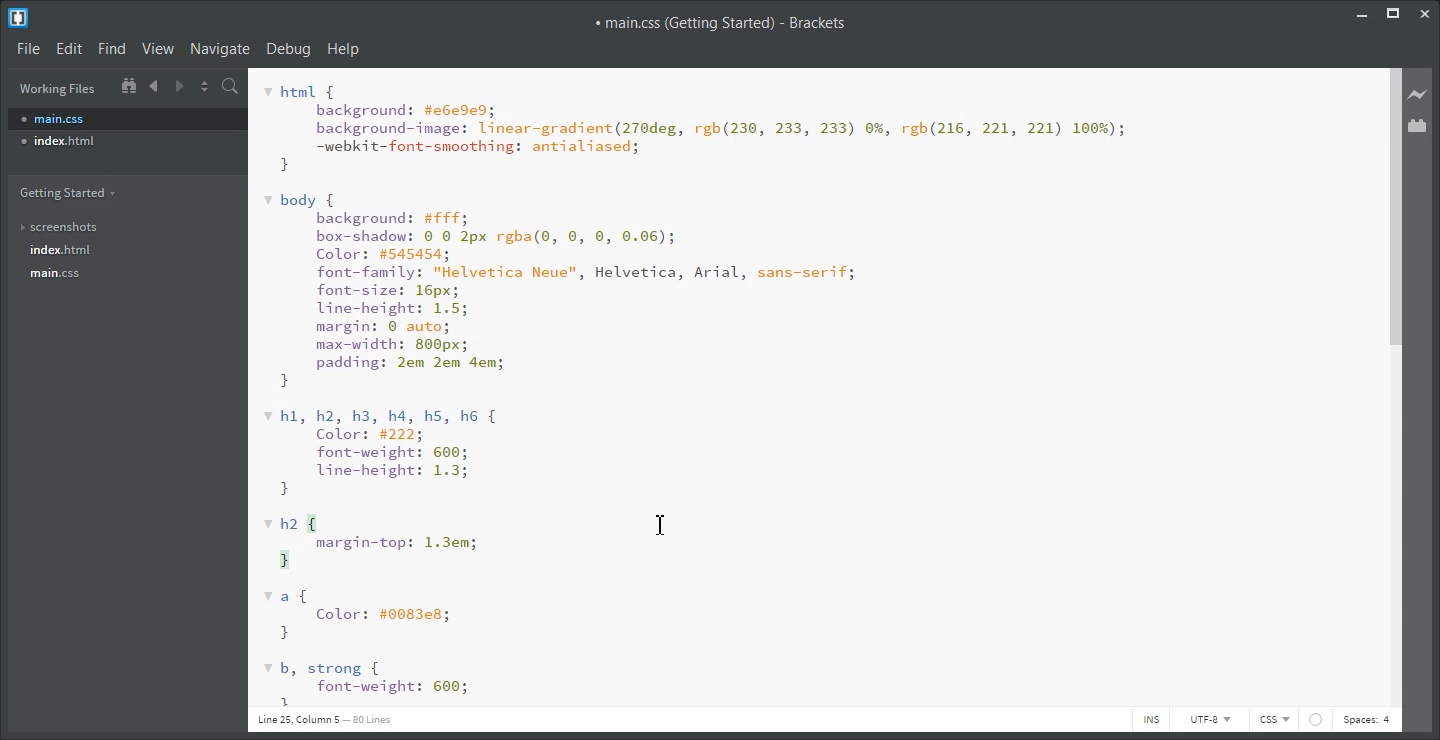 Image resolution: width=1440 pixels, height=740 pixels. Describe the element at coordinates (128, 84) in the screenshot. I see `Show In the file tree` at that location.